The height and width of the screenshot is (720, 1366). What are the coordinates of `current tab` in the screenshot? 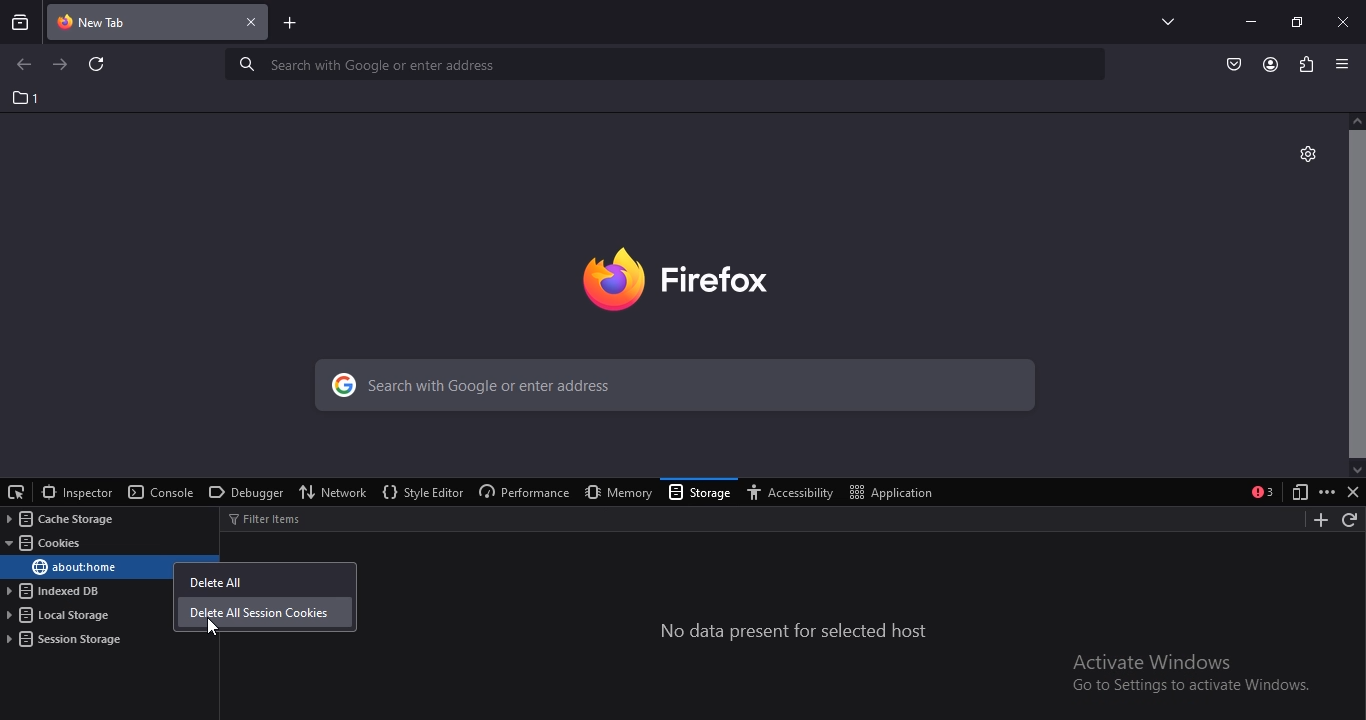 It's located at (159, 24).